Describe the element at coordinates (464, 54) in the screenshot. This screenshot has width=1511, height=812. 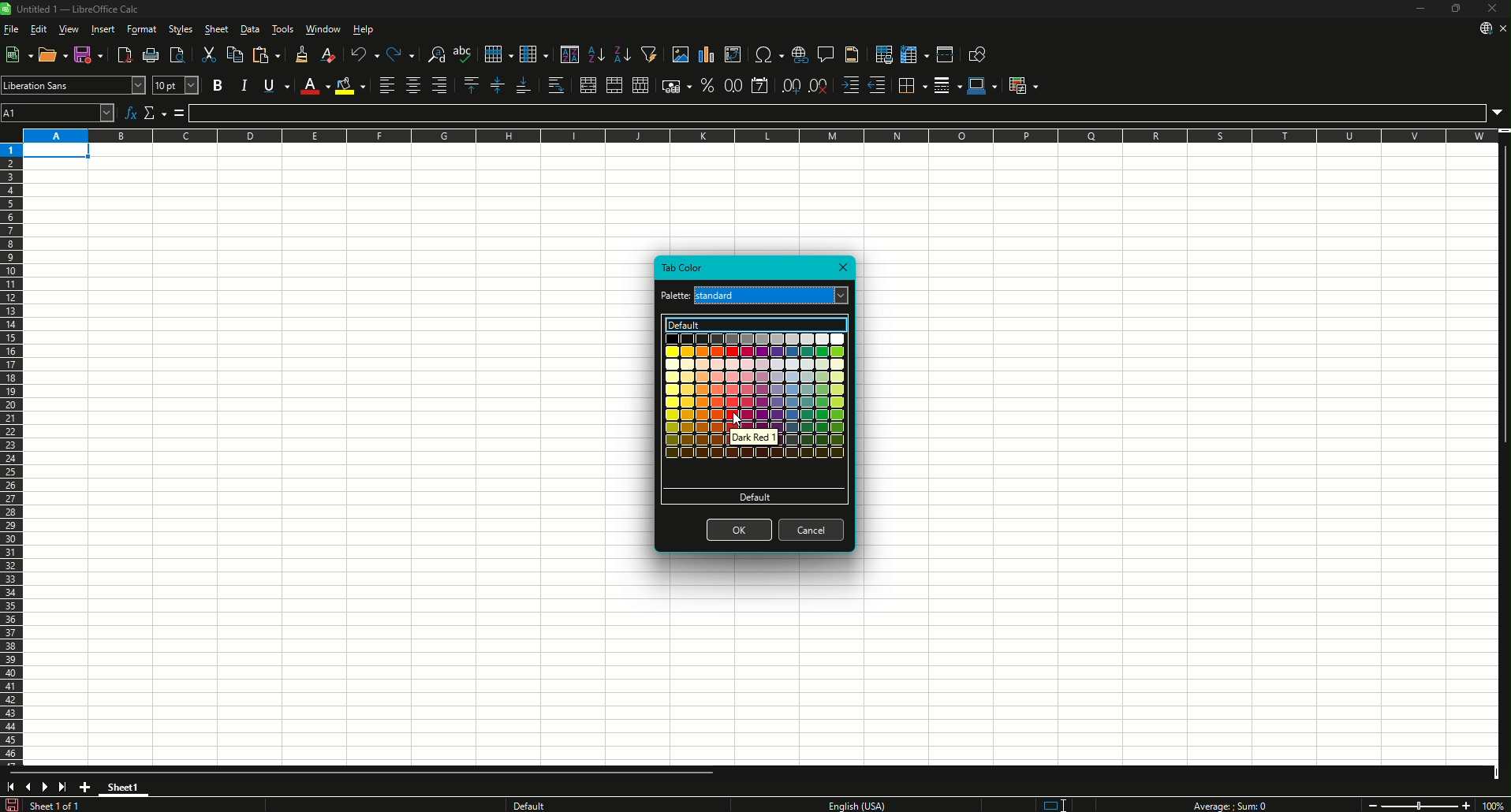
I see `Spelling` at that location.